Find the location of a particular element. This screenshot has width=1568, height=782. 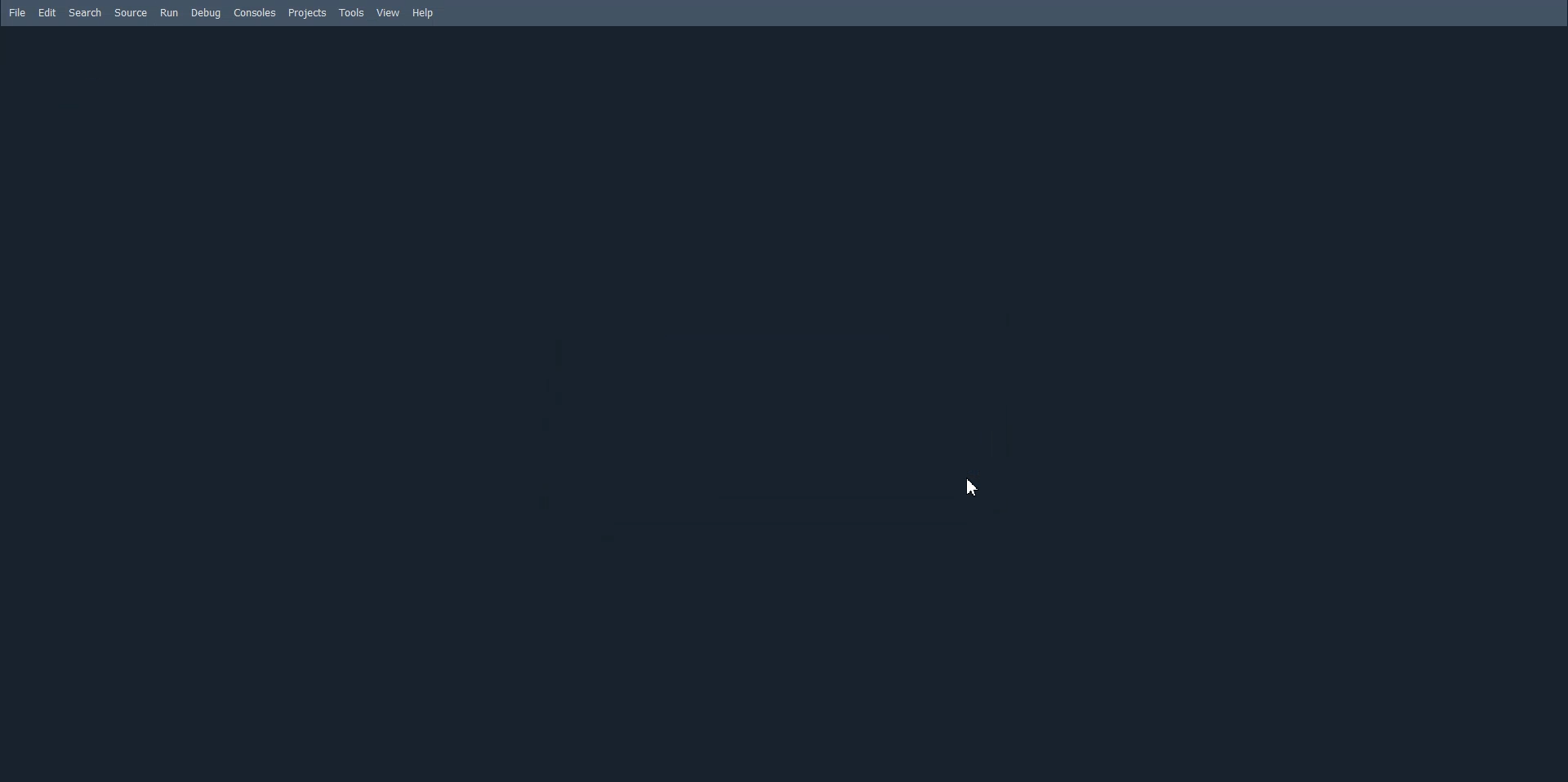

Debug is located at coordinates (206, 12).